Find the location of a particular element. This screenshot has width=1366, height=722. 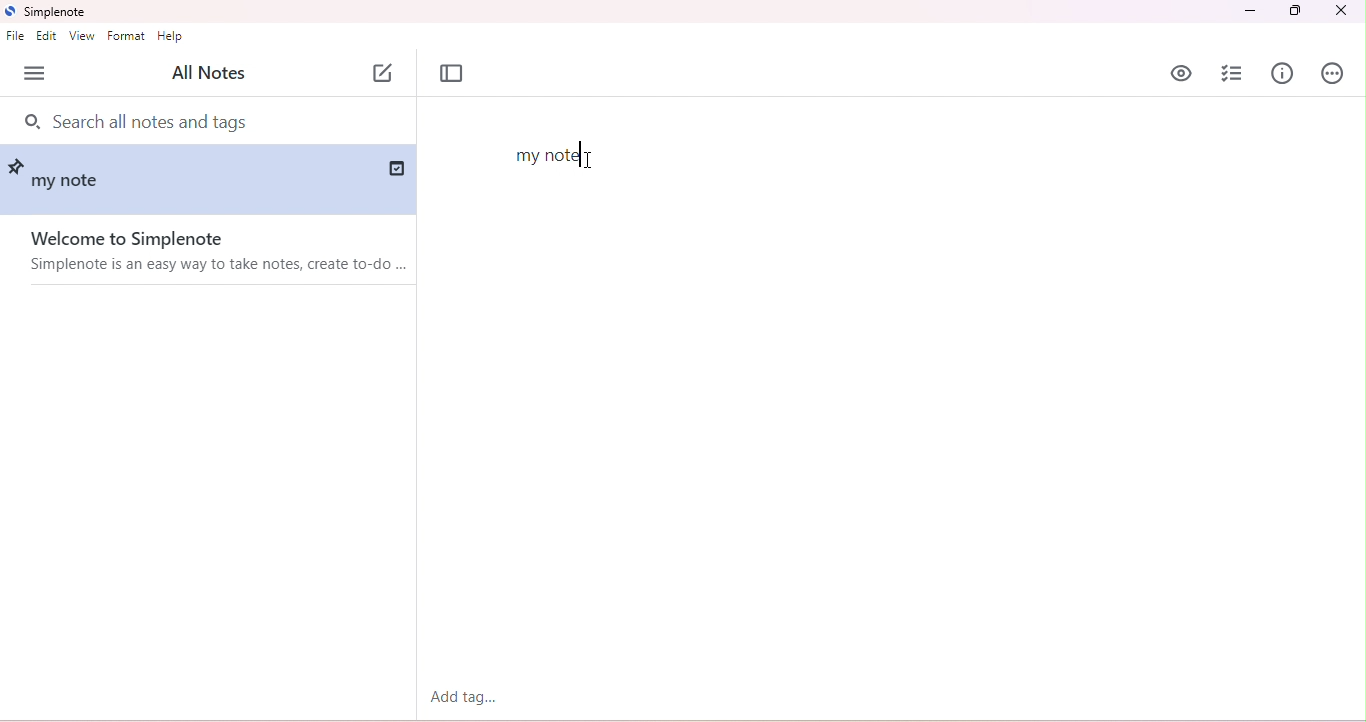

typing cursor is located at coordinates (578, 153).